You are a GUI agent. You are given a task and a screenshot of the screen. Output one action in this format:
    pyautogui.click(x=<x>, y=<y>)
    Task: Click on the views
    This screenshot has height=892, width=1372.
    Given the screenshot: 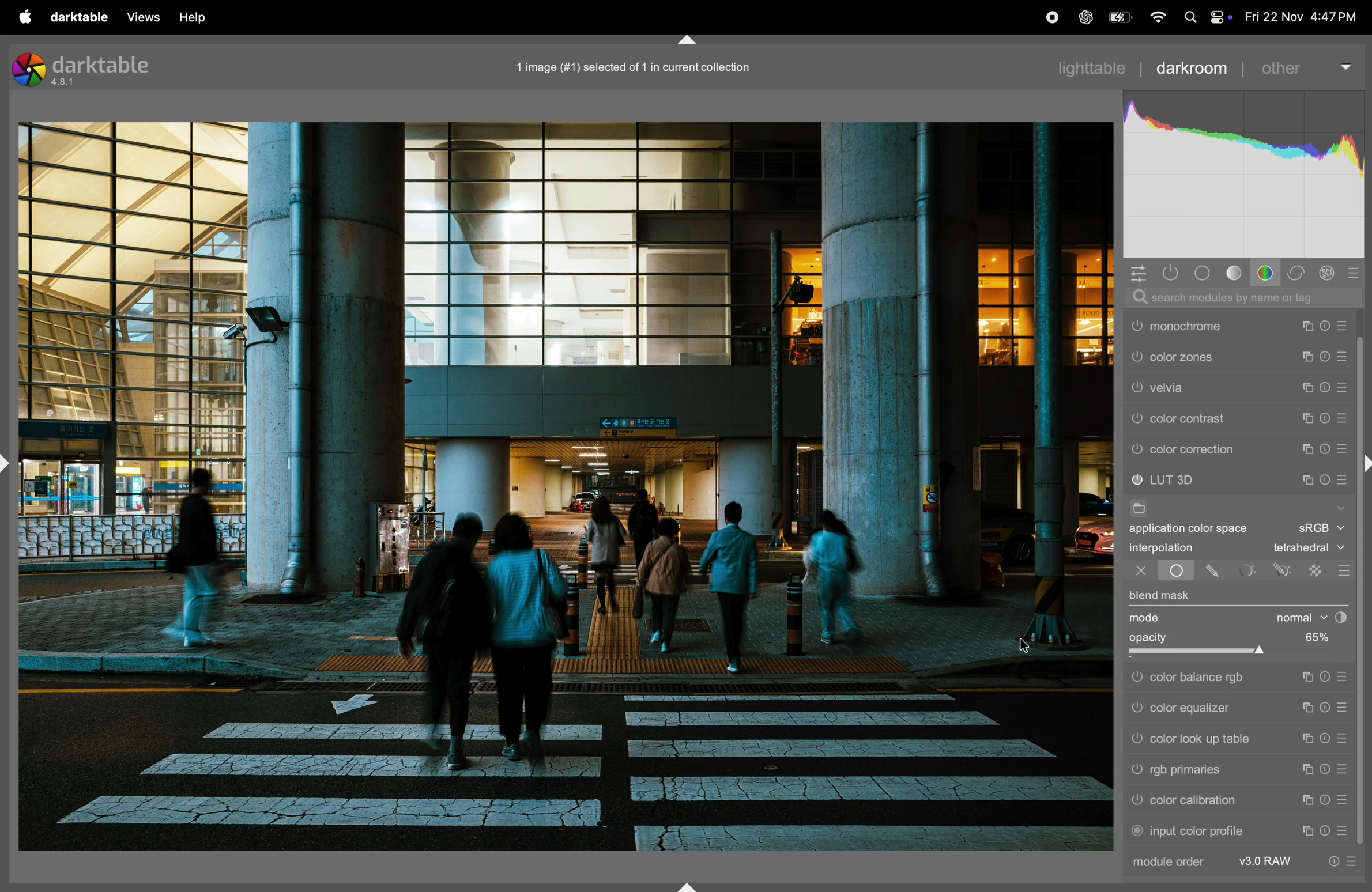 What is the action you would take?
    pyautogui.click(x=144, y=17)
    